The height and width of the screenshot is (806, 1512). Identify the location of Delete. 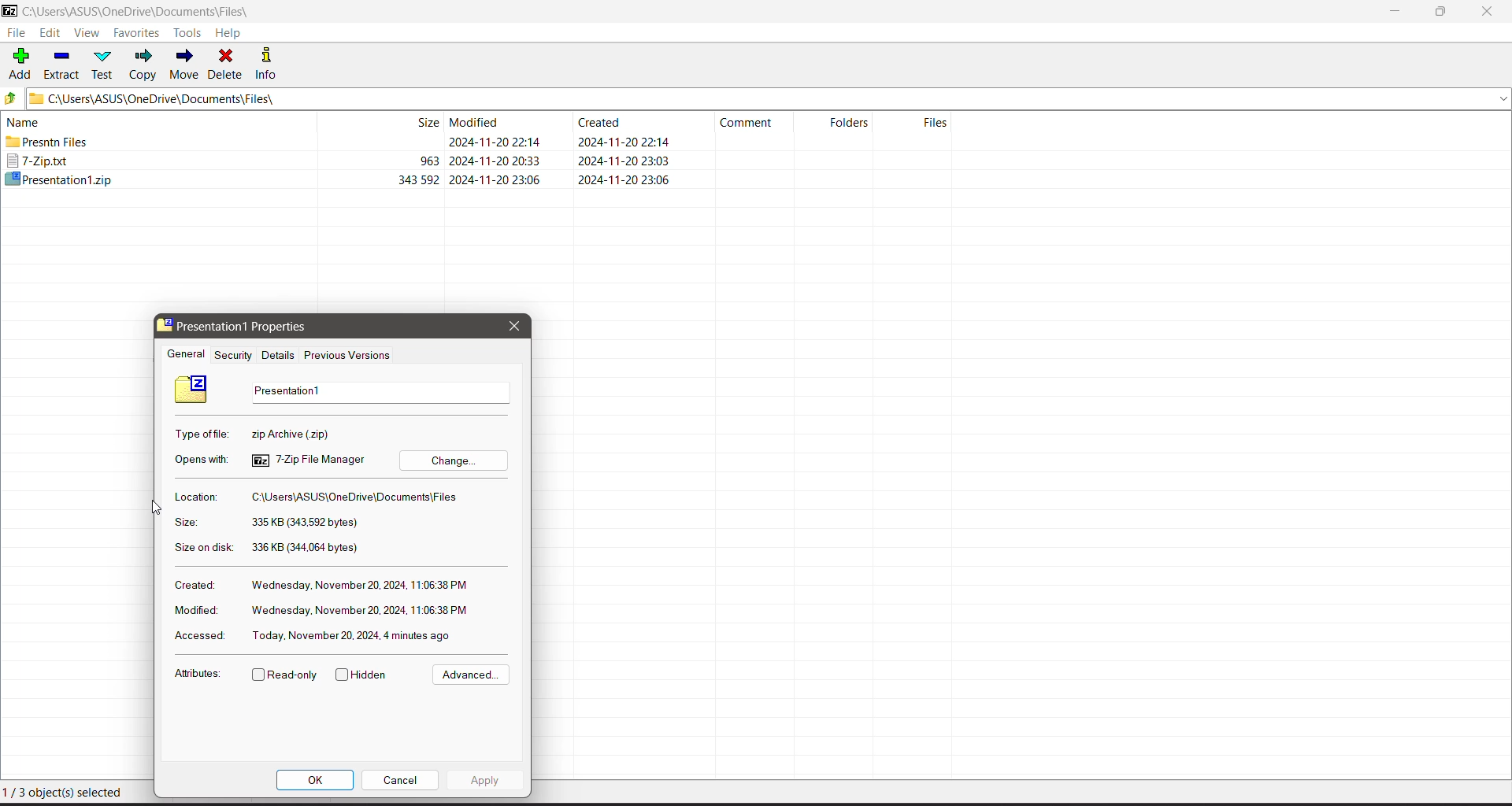
(227, 63).